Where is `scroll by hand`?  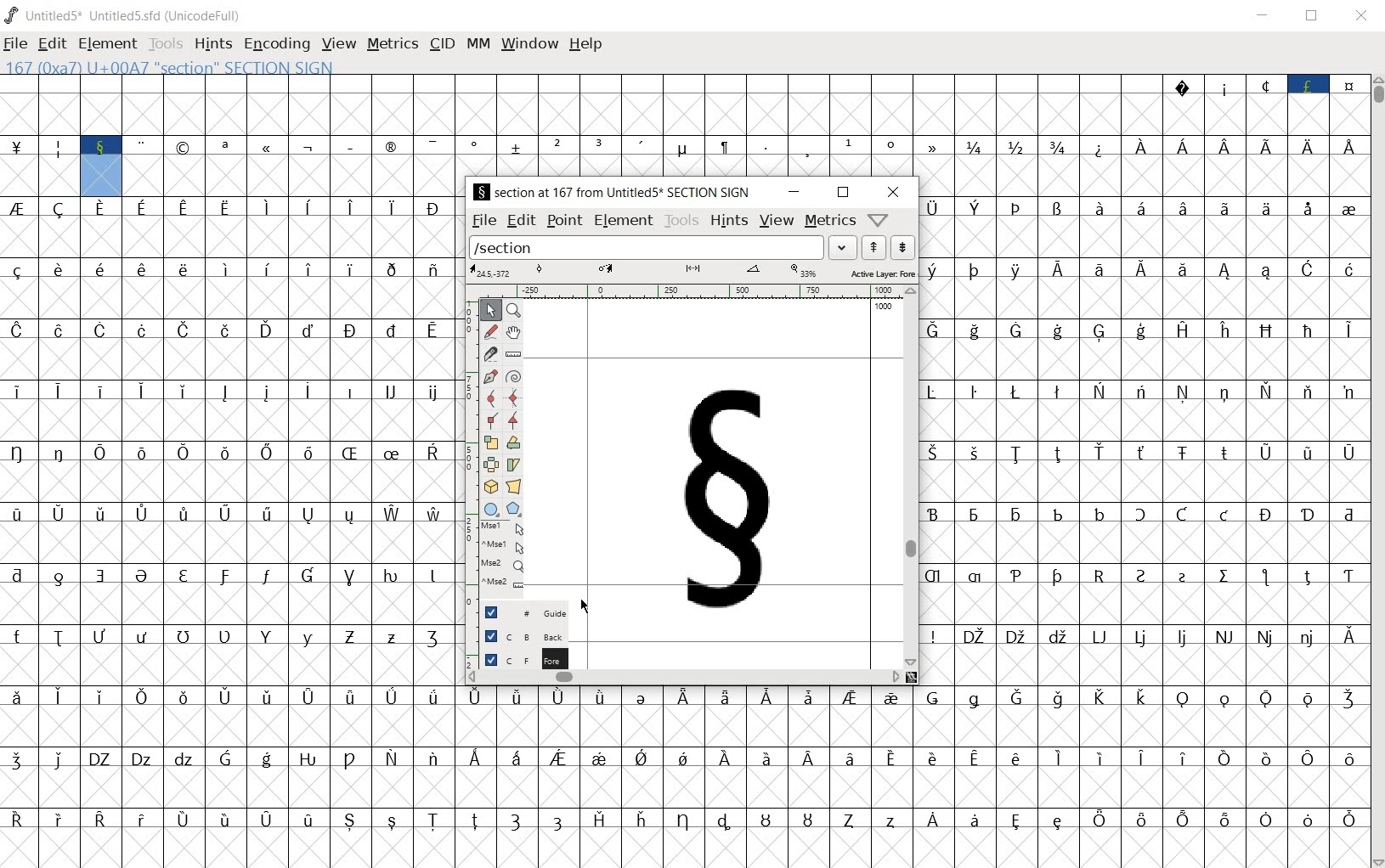 scroll by hand is located at coordinates (514, 330).